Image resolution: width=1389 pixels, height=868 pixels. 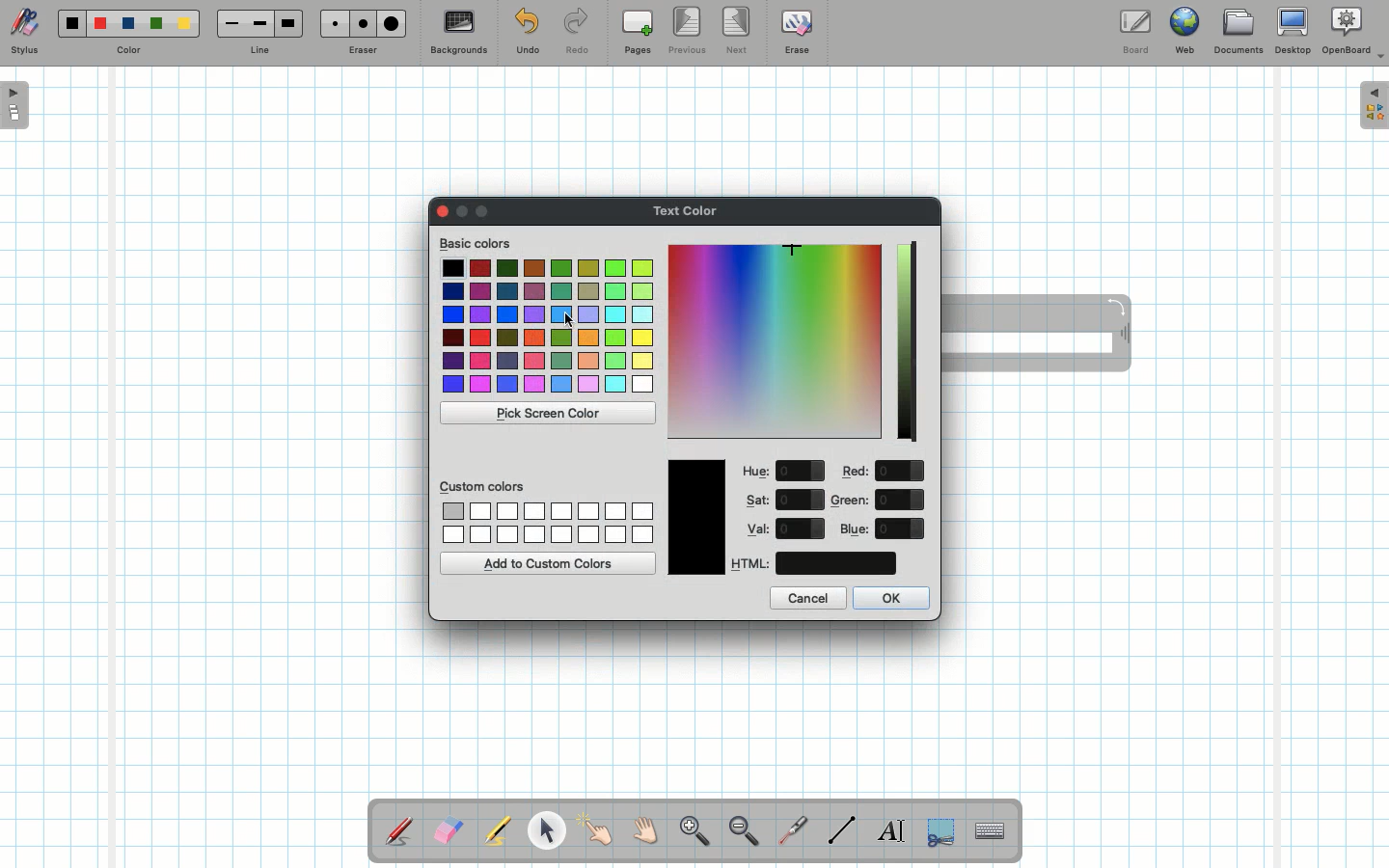 I want to click on Zoom out, so click(x=744, y=832).